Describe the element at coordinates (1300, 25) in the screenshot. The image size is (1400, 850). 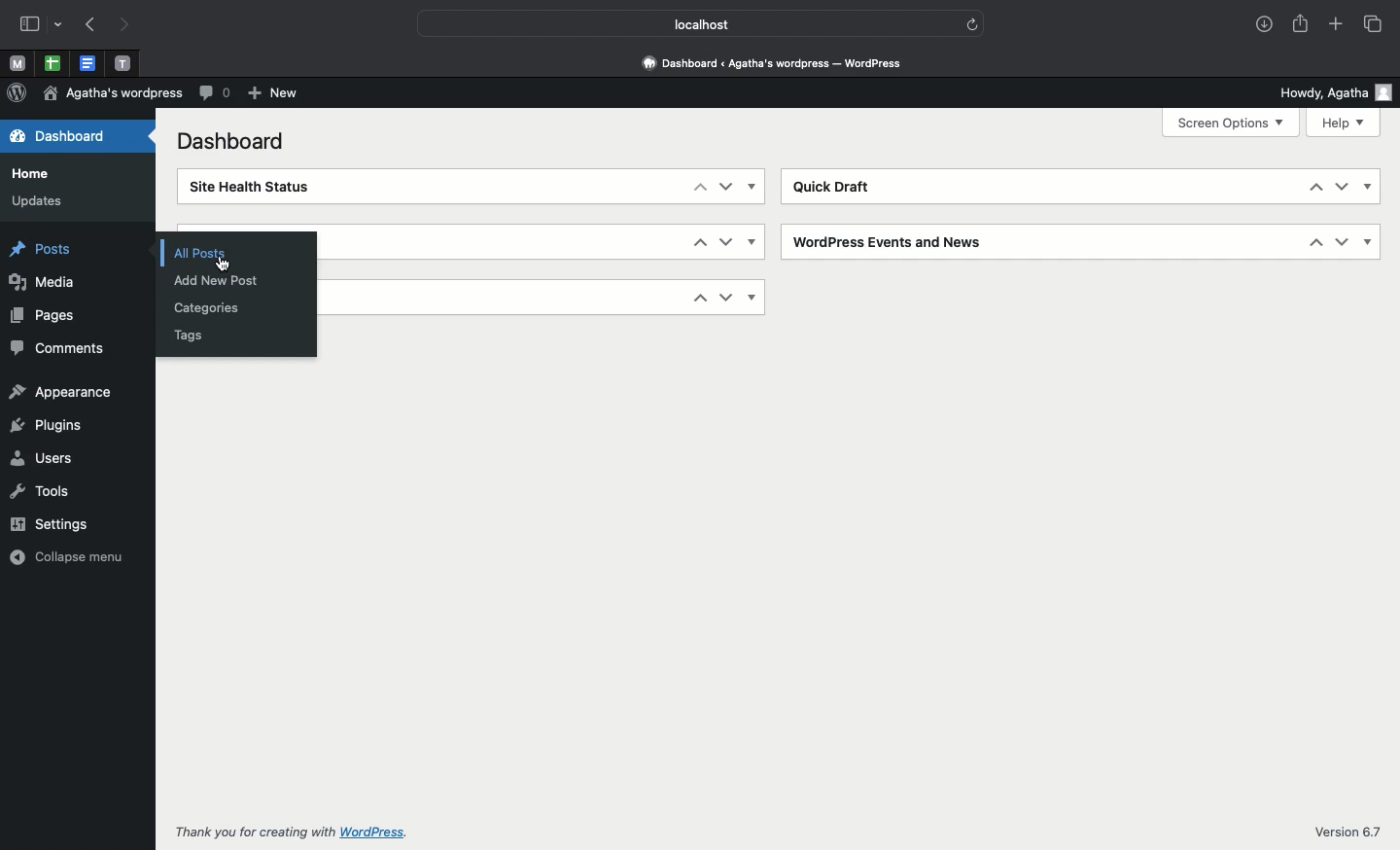
I see `Share` at that location.